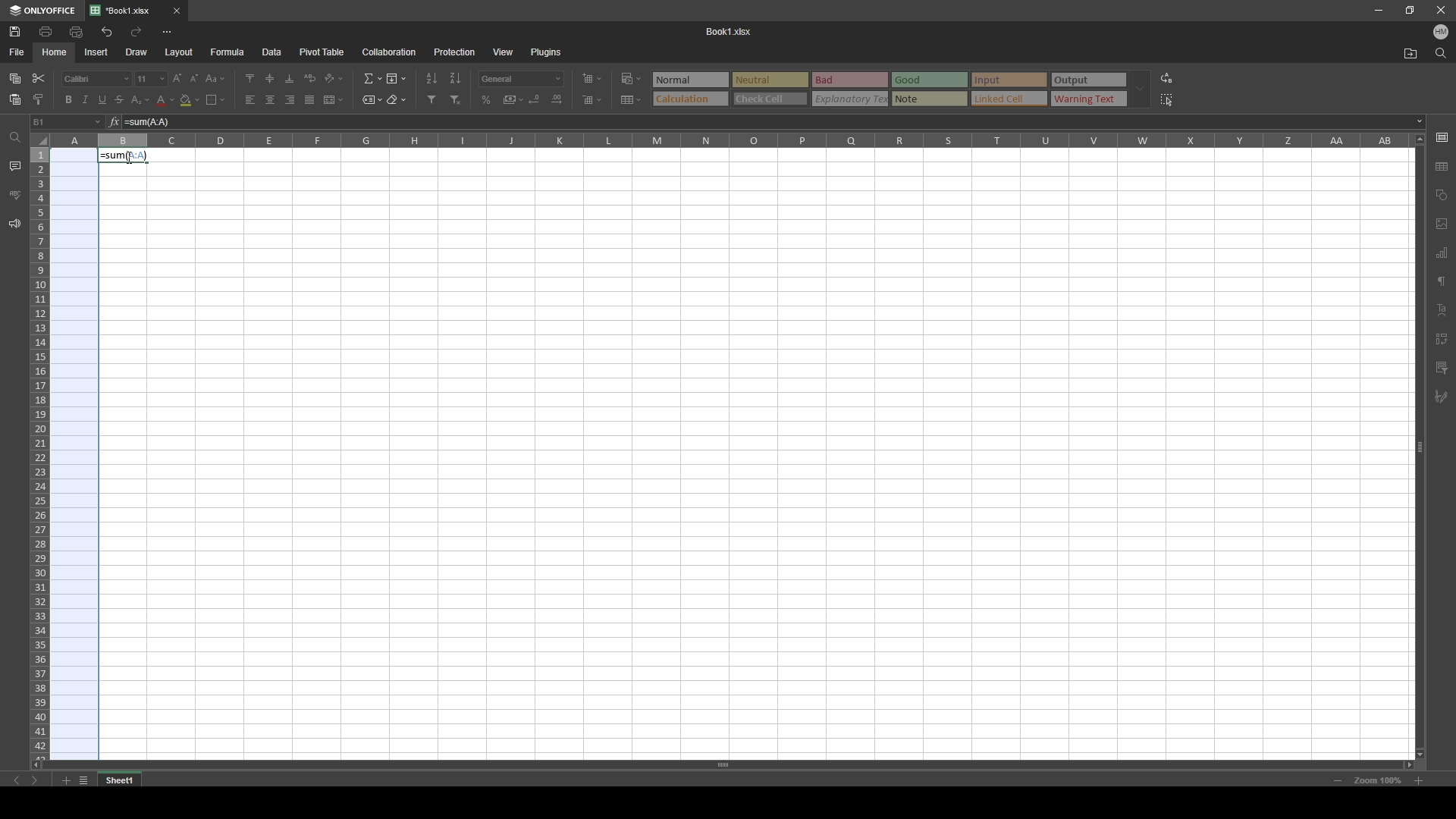  What do you see at coordinates (1410, 53) in the screenshot?
I see `locate file` at bounding box center [1410, 53].